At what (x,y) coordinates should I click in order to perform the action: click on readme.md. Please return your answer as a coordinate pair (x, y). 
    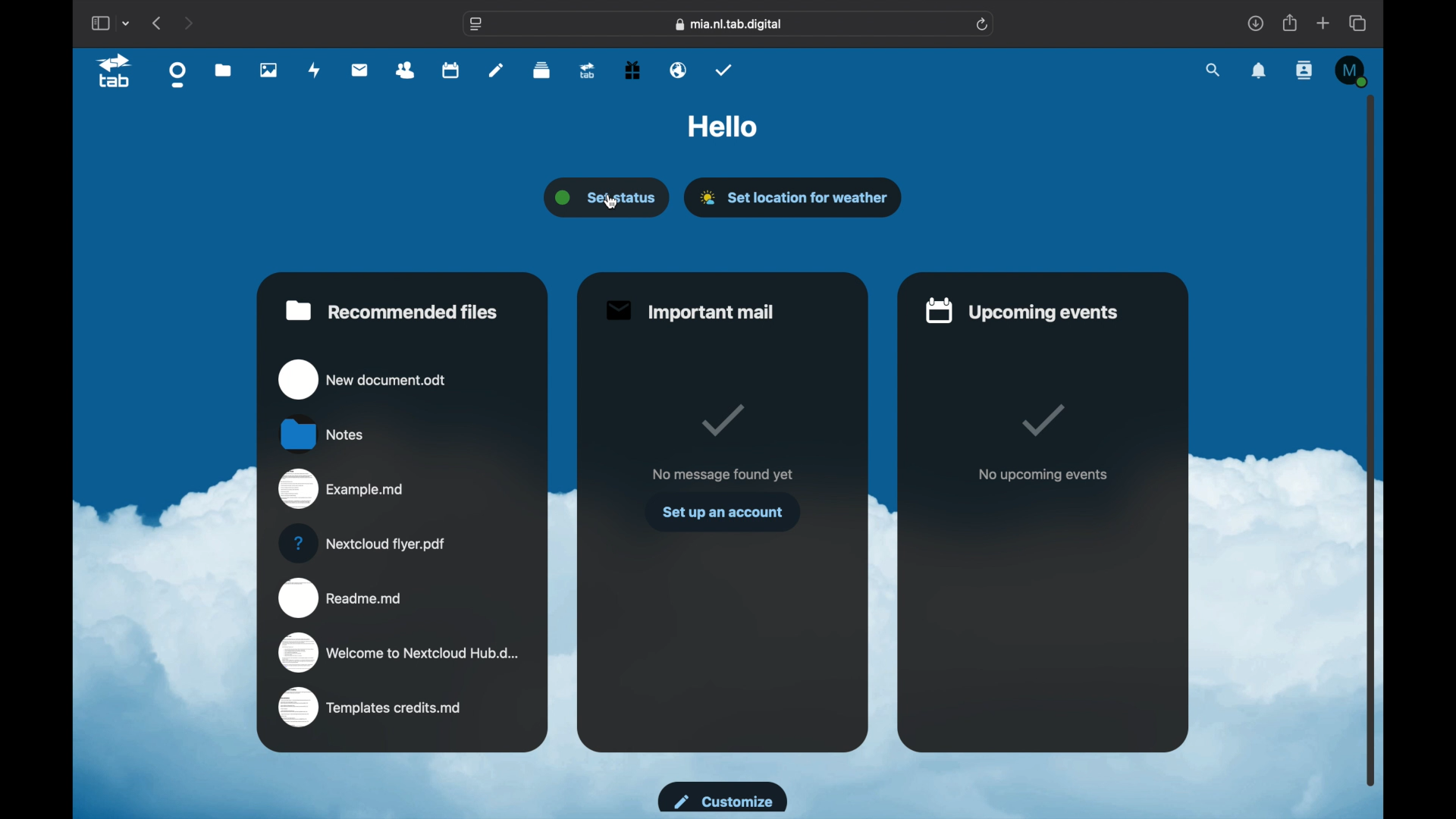
    Looking at the image, I should click on (342, 596).